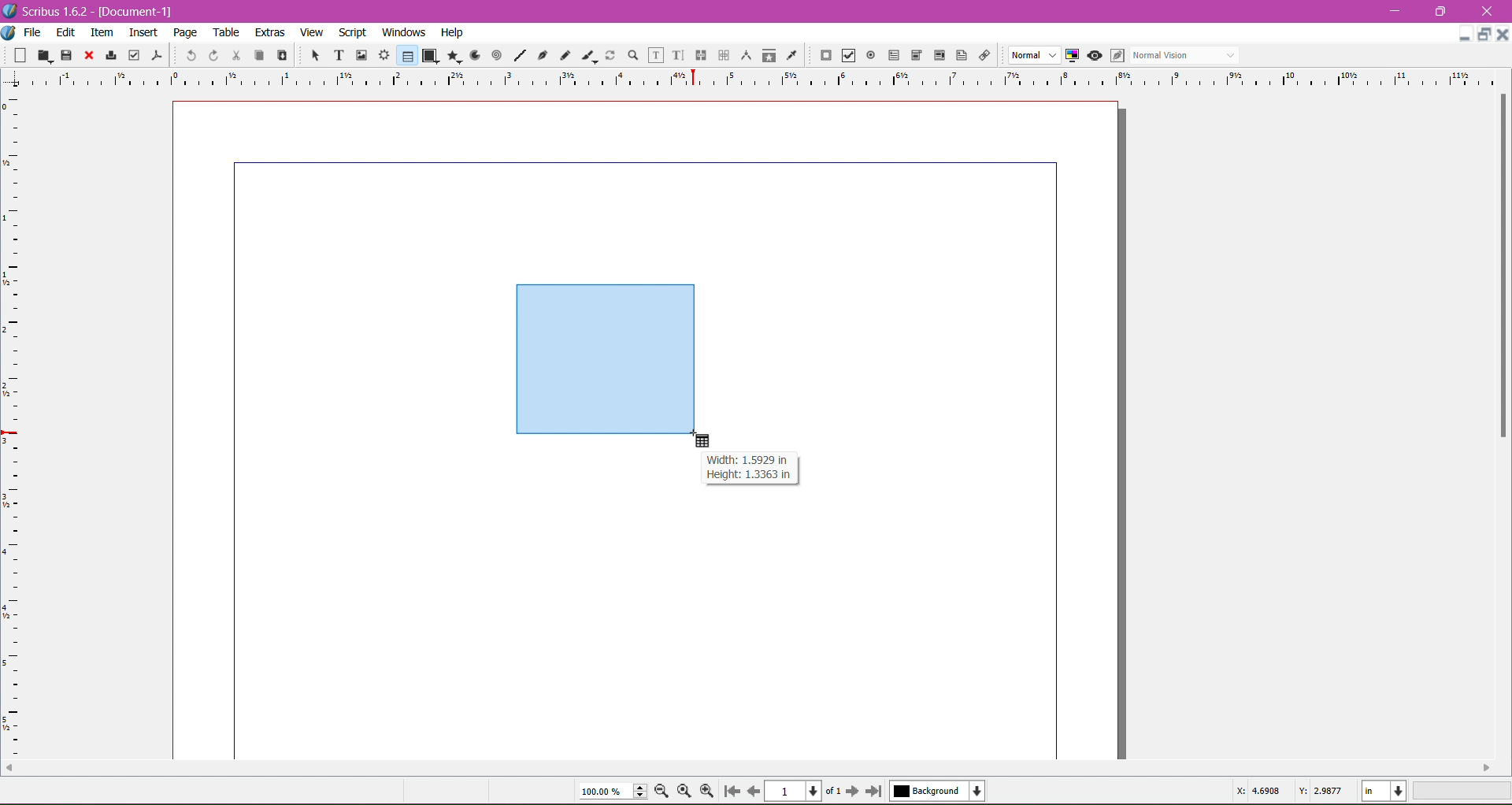 The height and width of the screenshot is (805, 1512). I want to click on PDF combo box, so click(913, 56).